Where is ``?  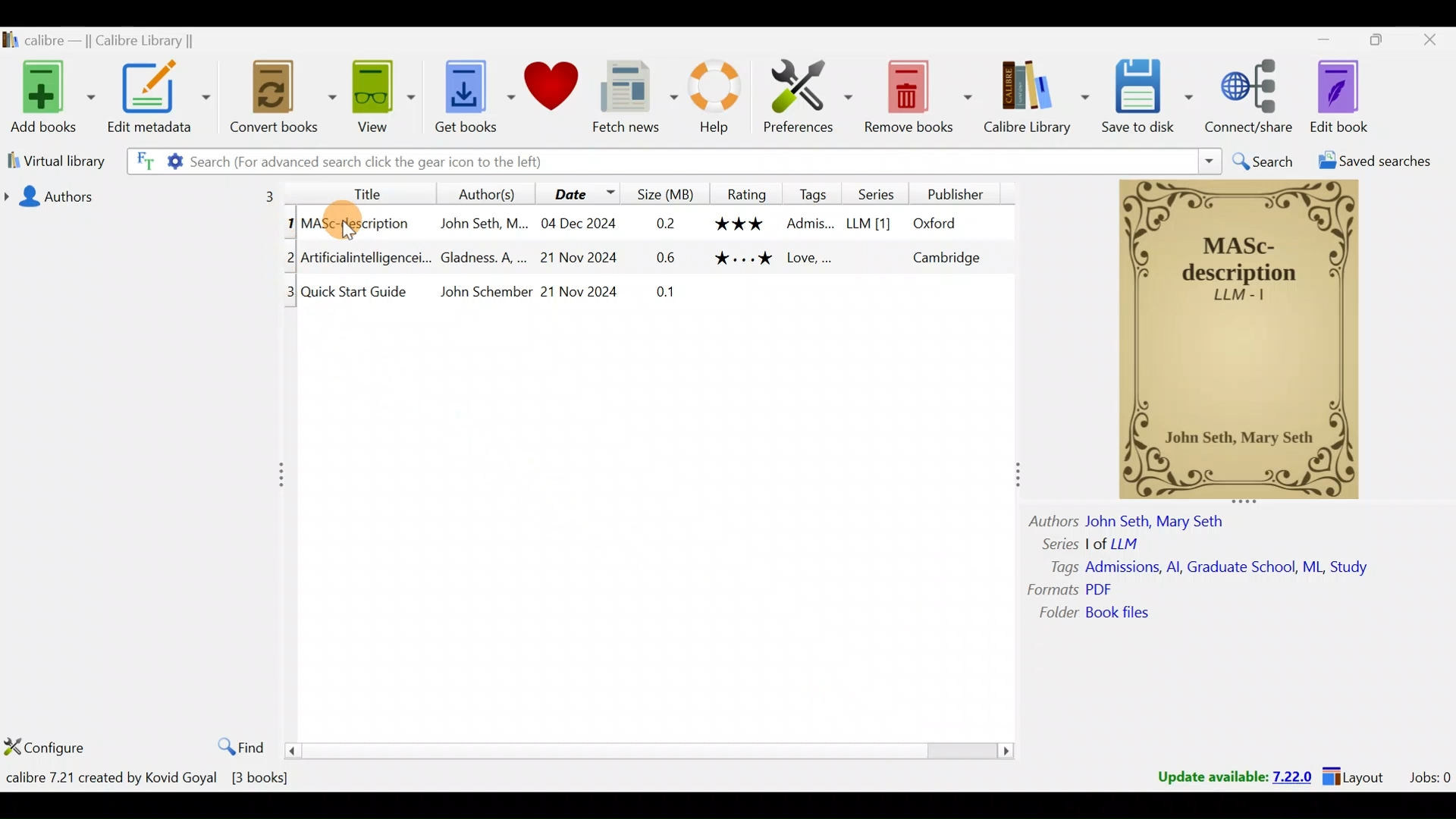
 is located at coordinates (666, 293).